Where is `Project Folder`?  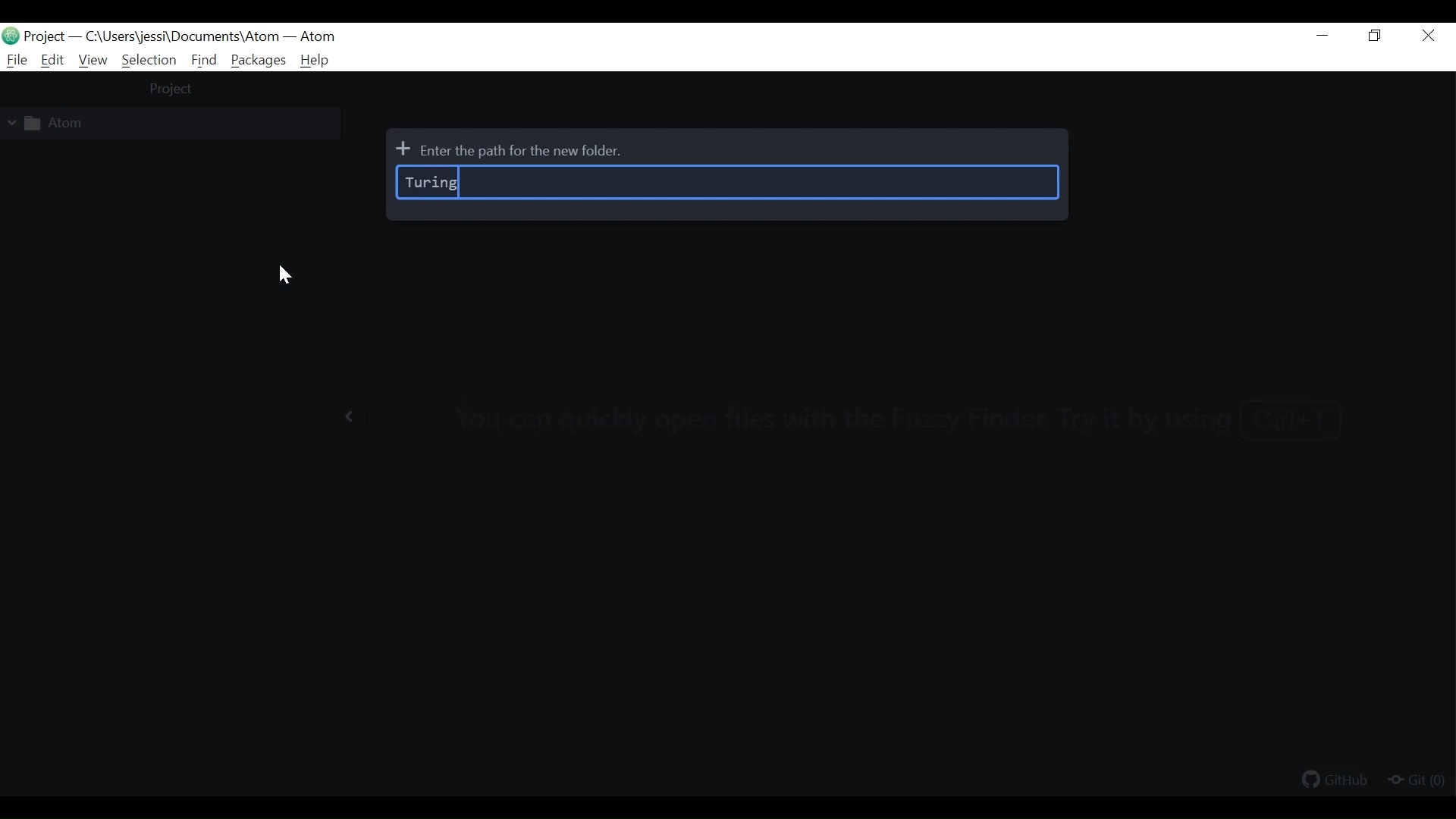 Project Folder is located at coordinates (154, 124).